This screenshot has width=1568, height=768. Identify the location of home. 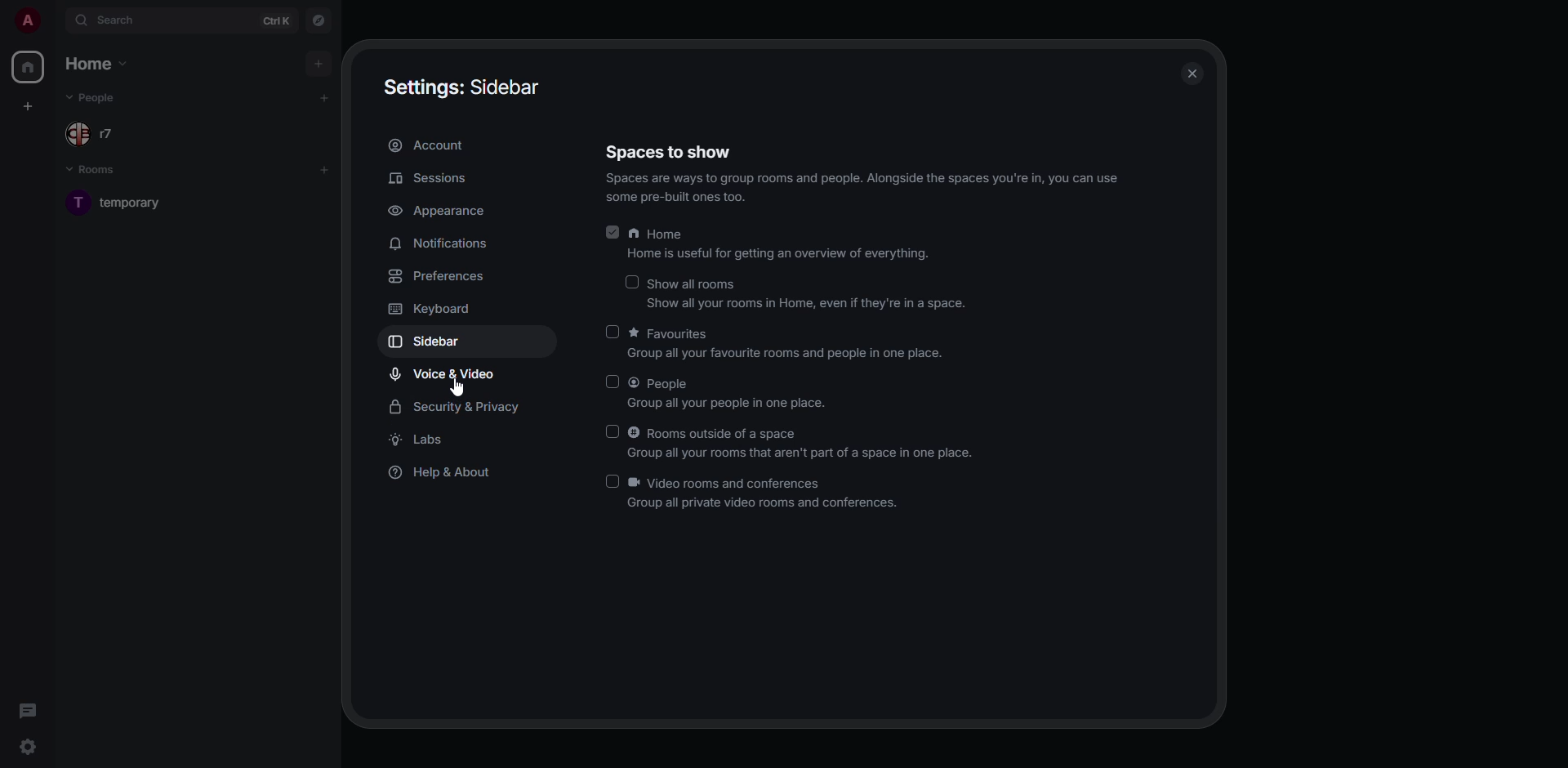
(99, 64).